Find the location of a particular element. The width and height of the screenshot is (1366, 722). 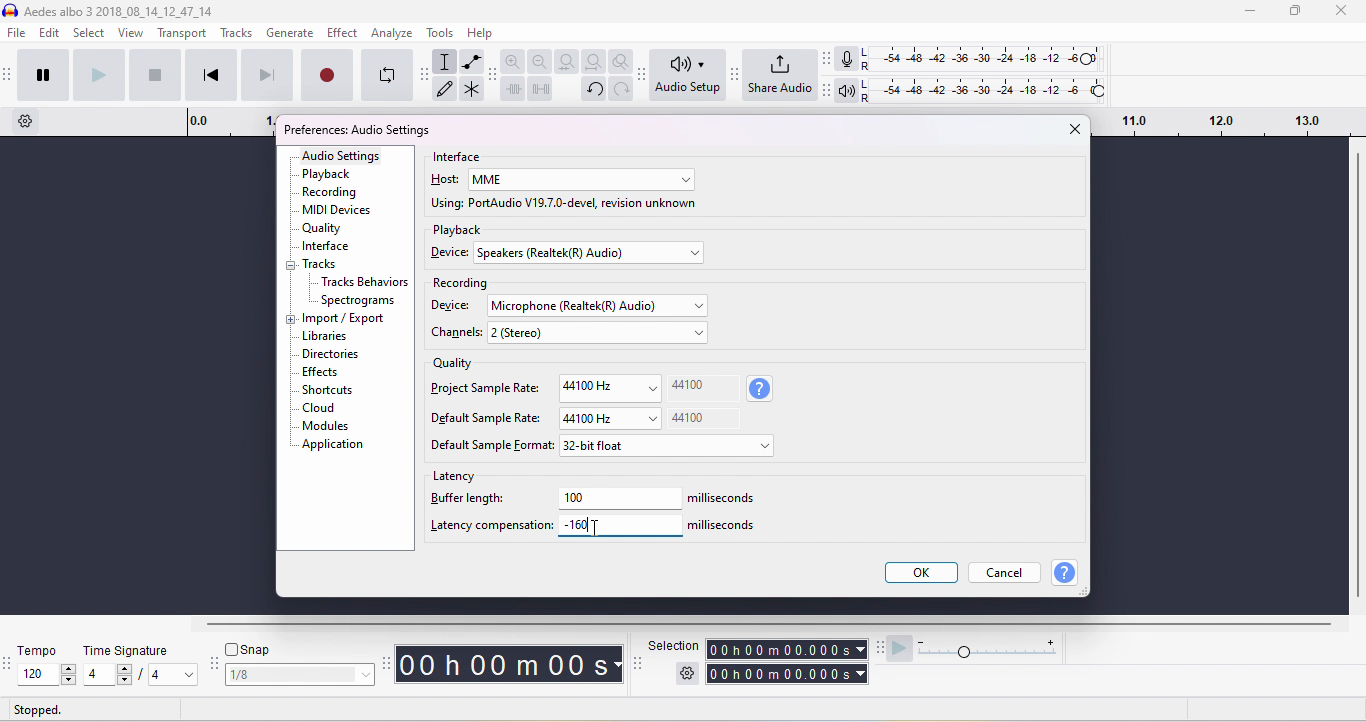

timeline options is located at coordinates (26, 121).